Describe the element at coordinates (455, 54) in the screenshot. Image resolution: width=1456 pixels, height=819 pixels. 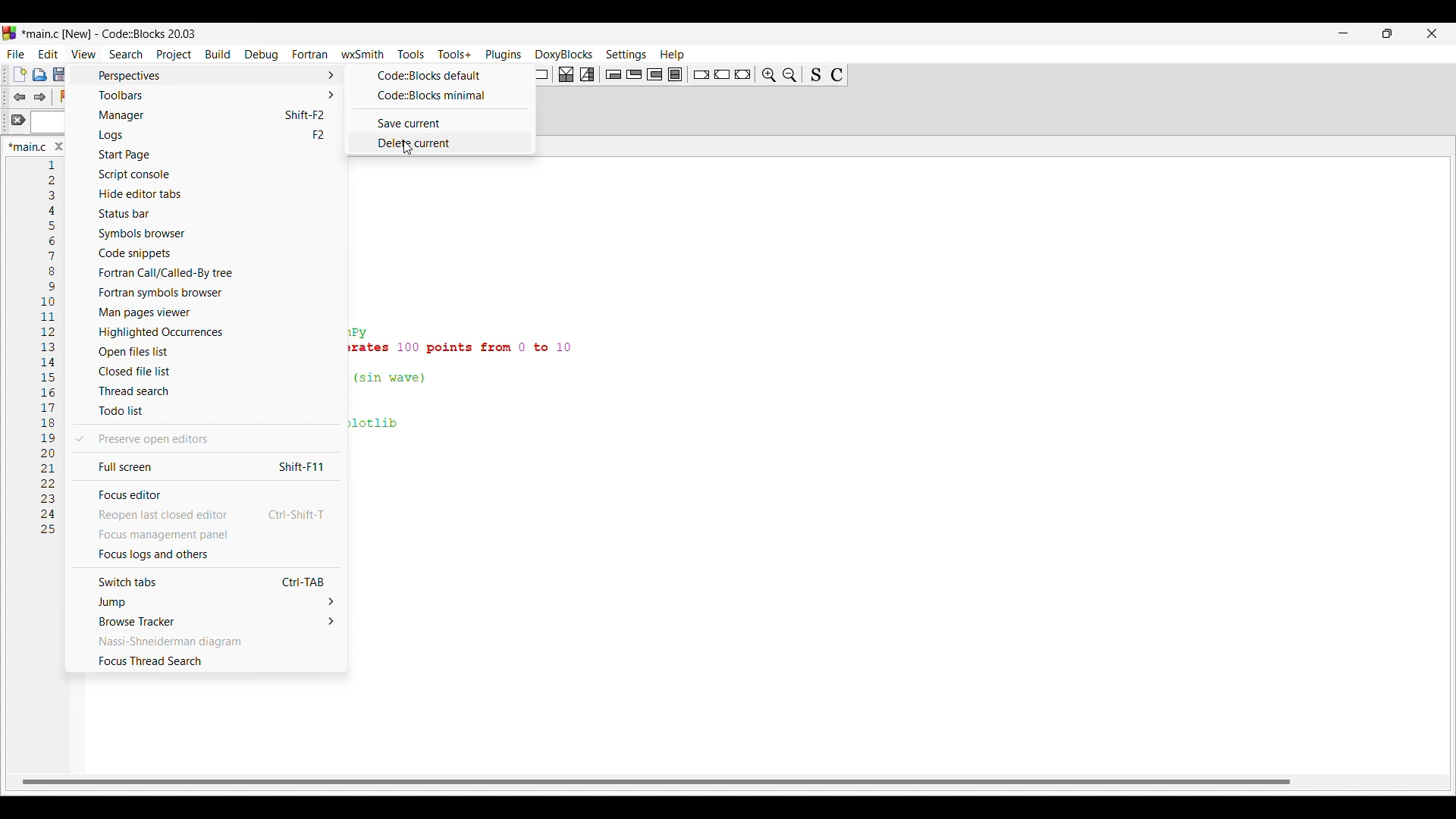
I see `Tools+ menu` at that location.